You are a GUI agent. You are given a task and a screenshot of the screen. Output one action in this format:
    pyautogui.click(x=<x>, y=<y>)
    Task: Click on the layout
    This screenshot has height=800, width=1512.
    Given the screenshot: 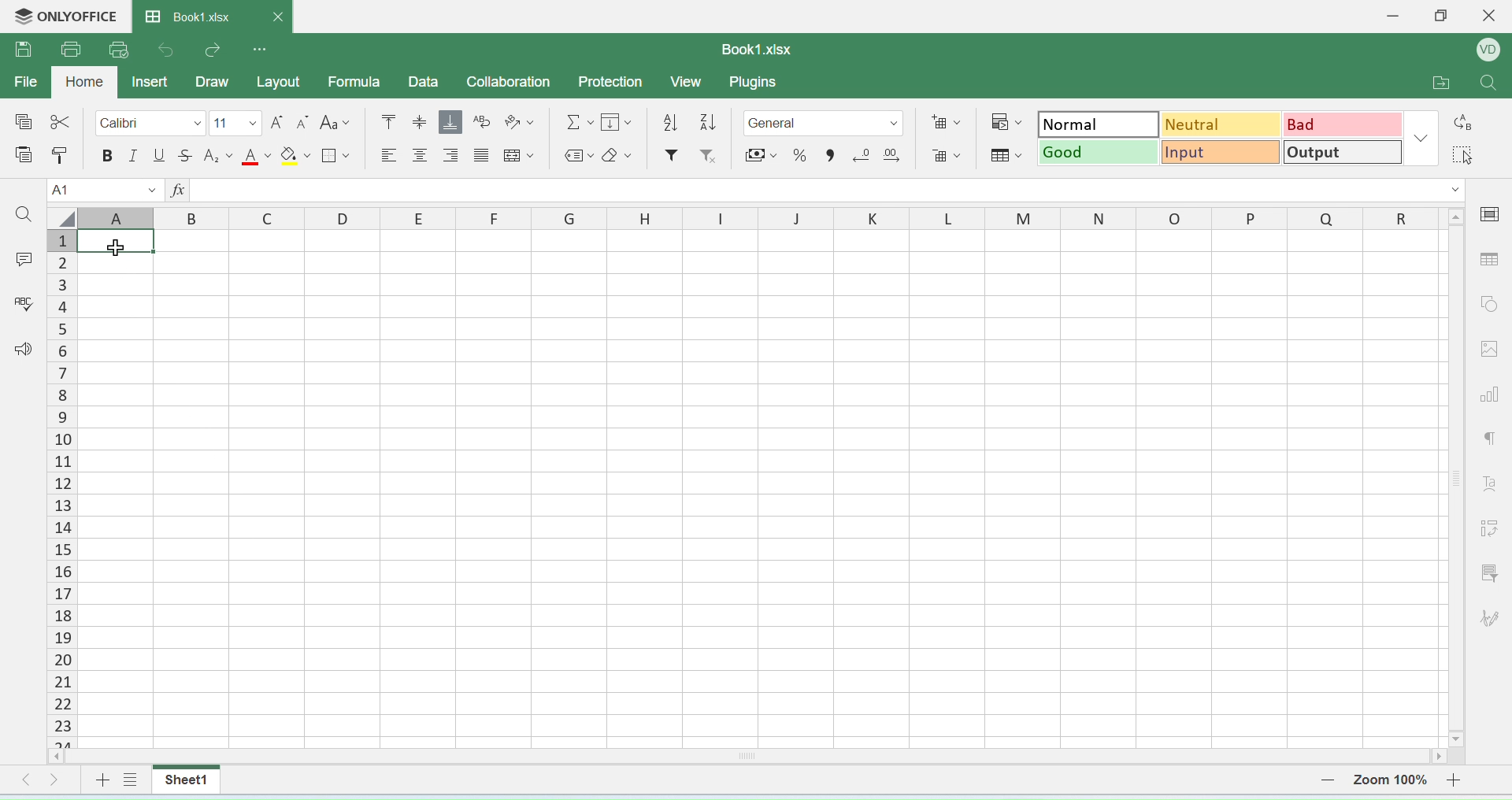 What is the action you would take?
    pyautogui.click(x=277, y=81)
    